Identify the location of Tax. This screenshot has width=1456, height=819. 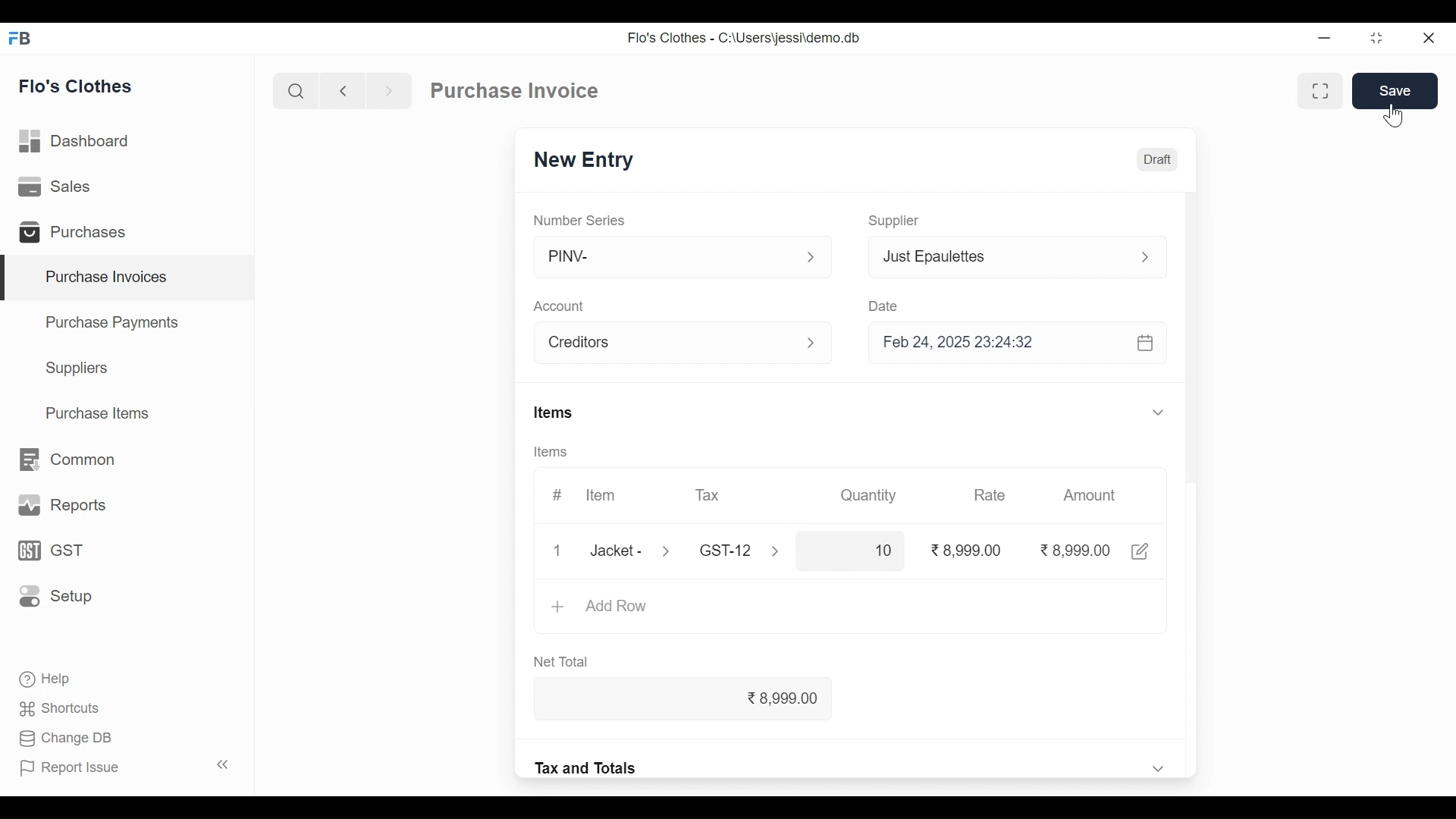
(729, 550).